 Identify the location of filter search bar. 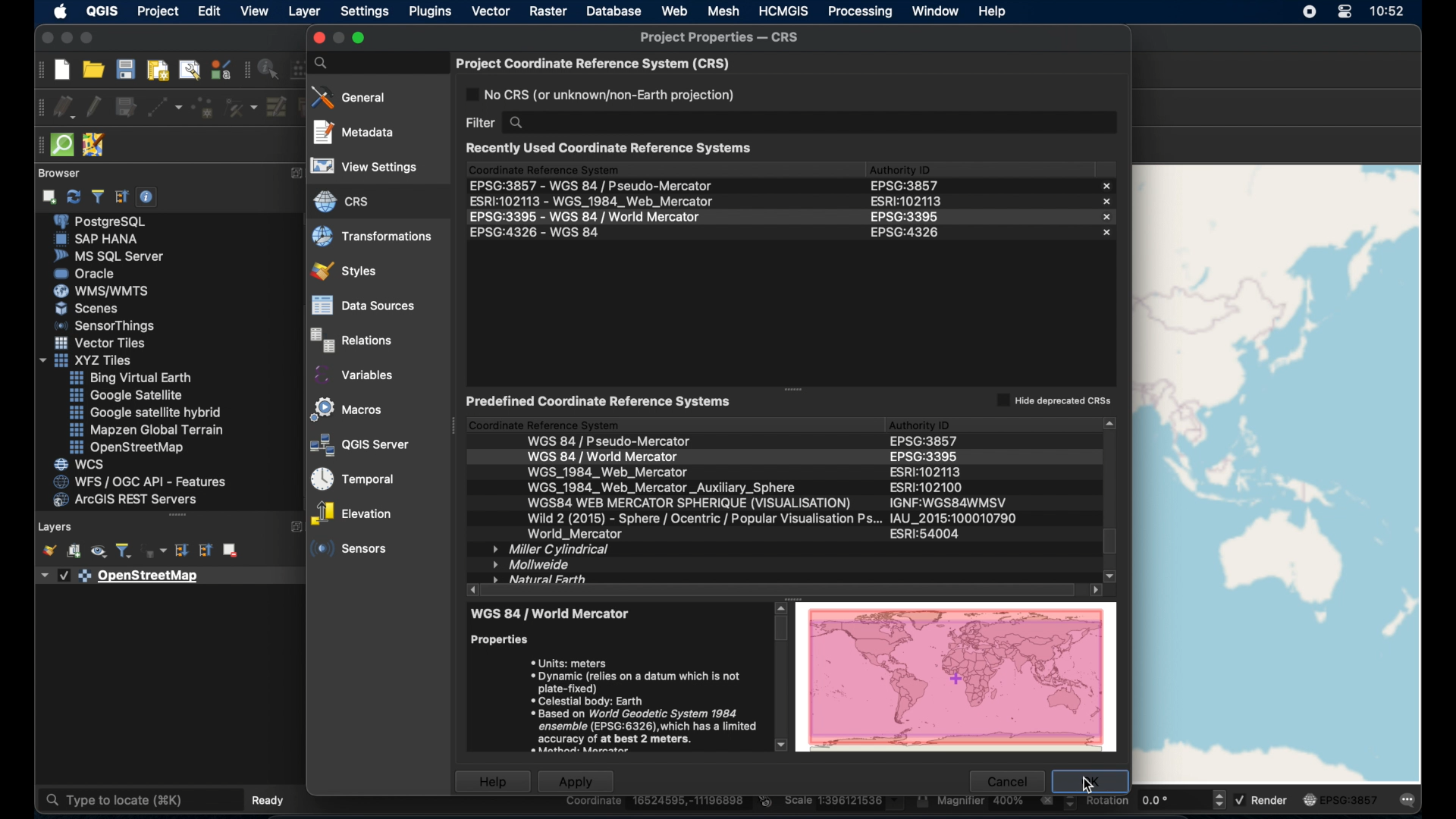
(786, 121).